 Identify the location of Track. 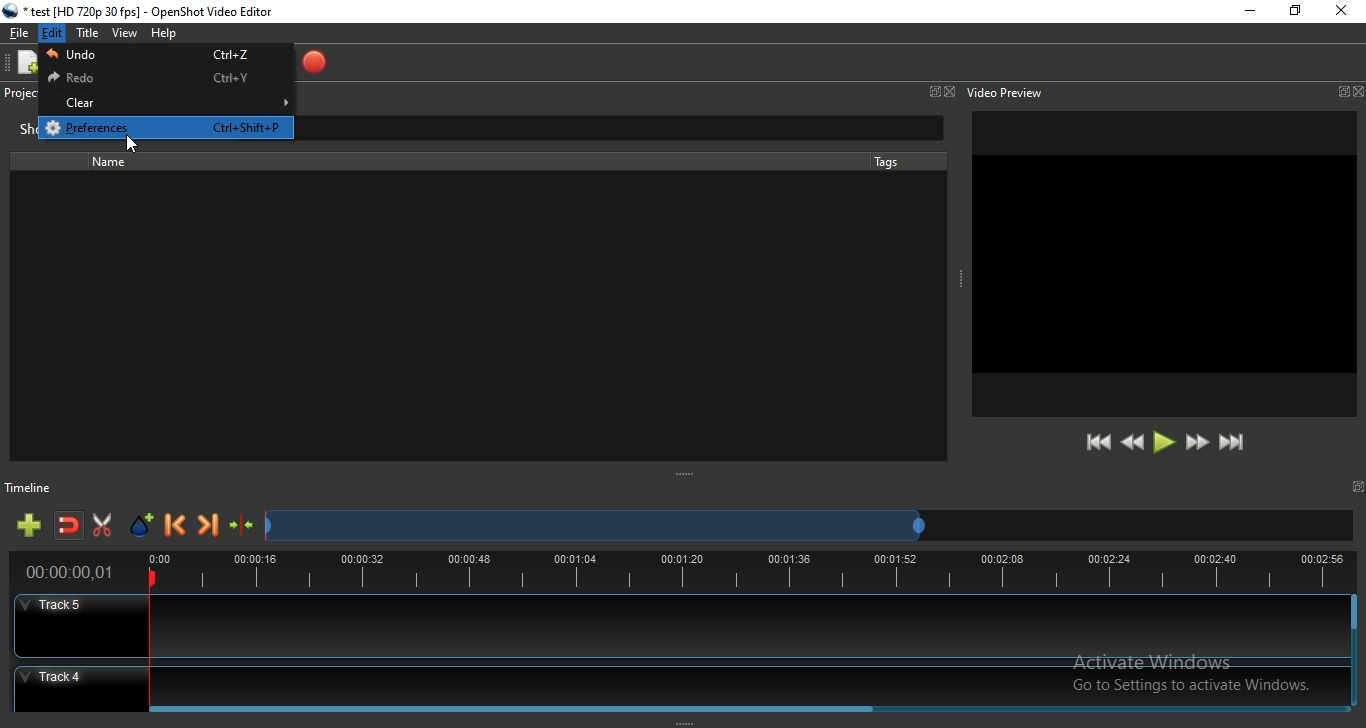
(679, 628).